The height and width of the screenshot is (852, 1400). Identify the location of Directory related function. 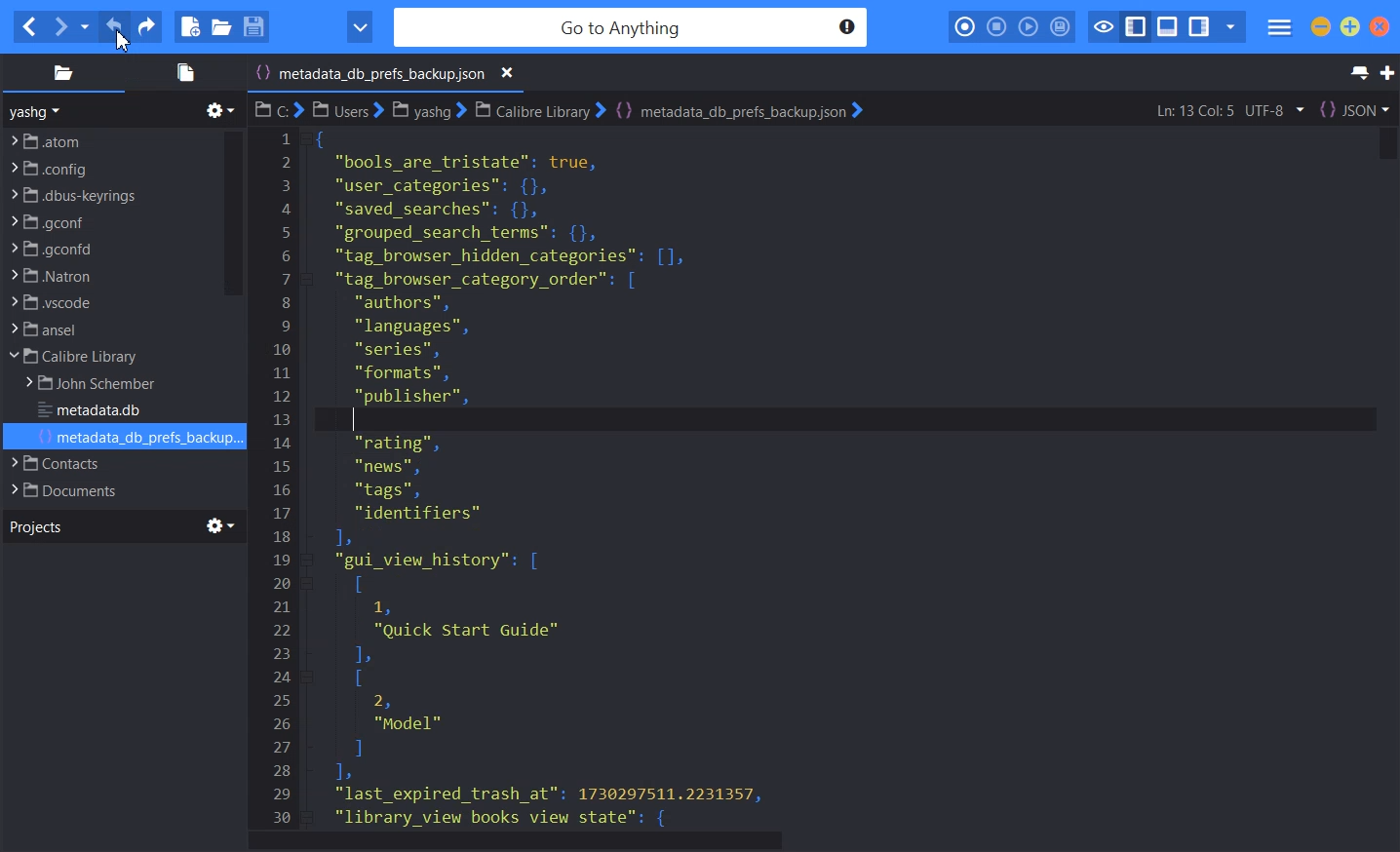
(220, 110).